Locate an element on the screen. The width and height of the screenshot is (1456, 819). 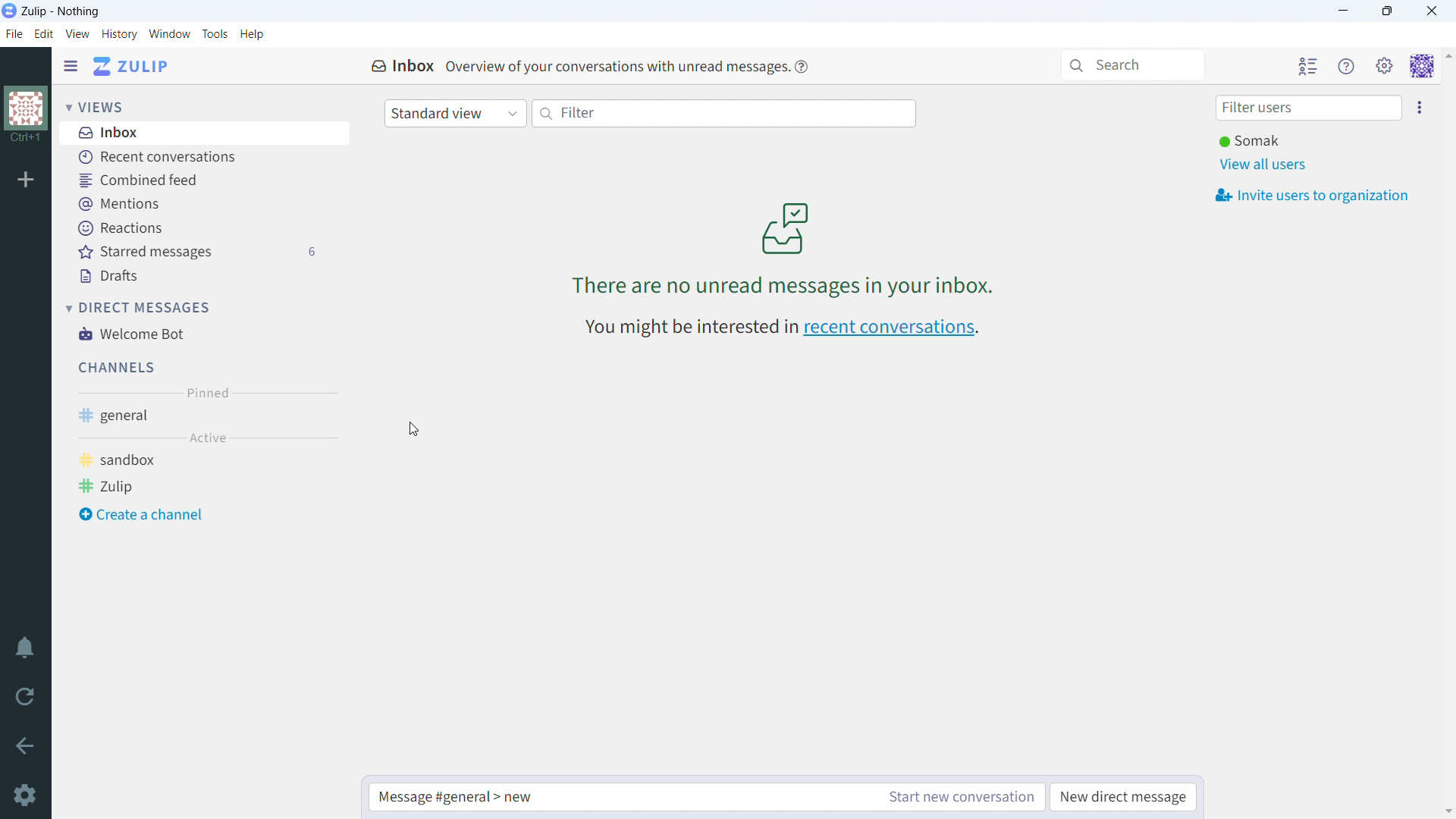
image is located at coordinates (785, 227).